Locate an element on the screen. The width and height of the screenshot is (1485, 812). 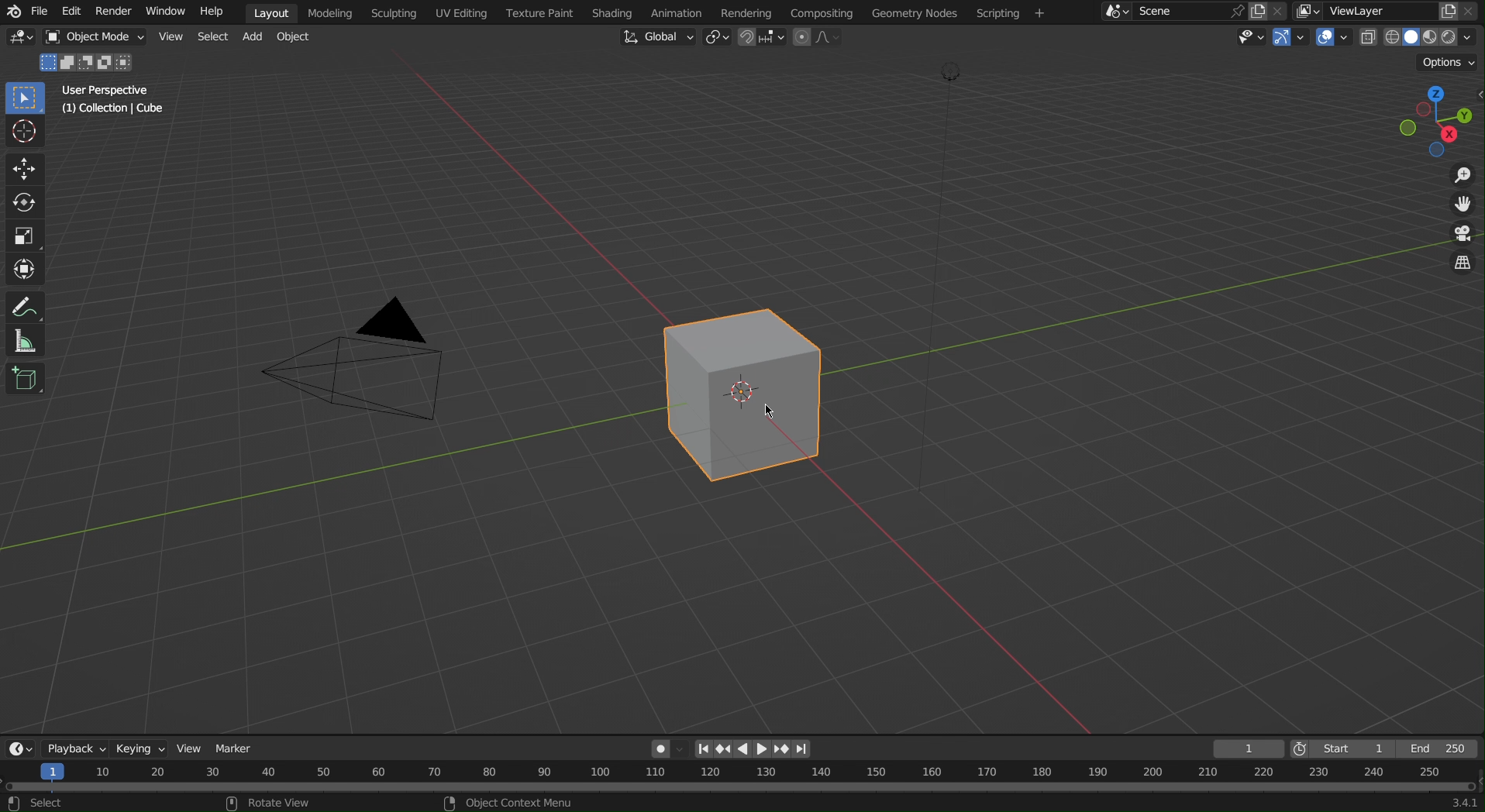
Start is located at coordinates (1346, 748).